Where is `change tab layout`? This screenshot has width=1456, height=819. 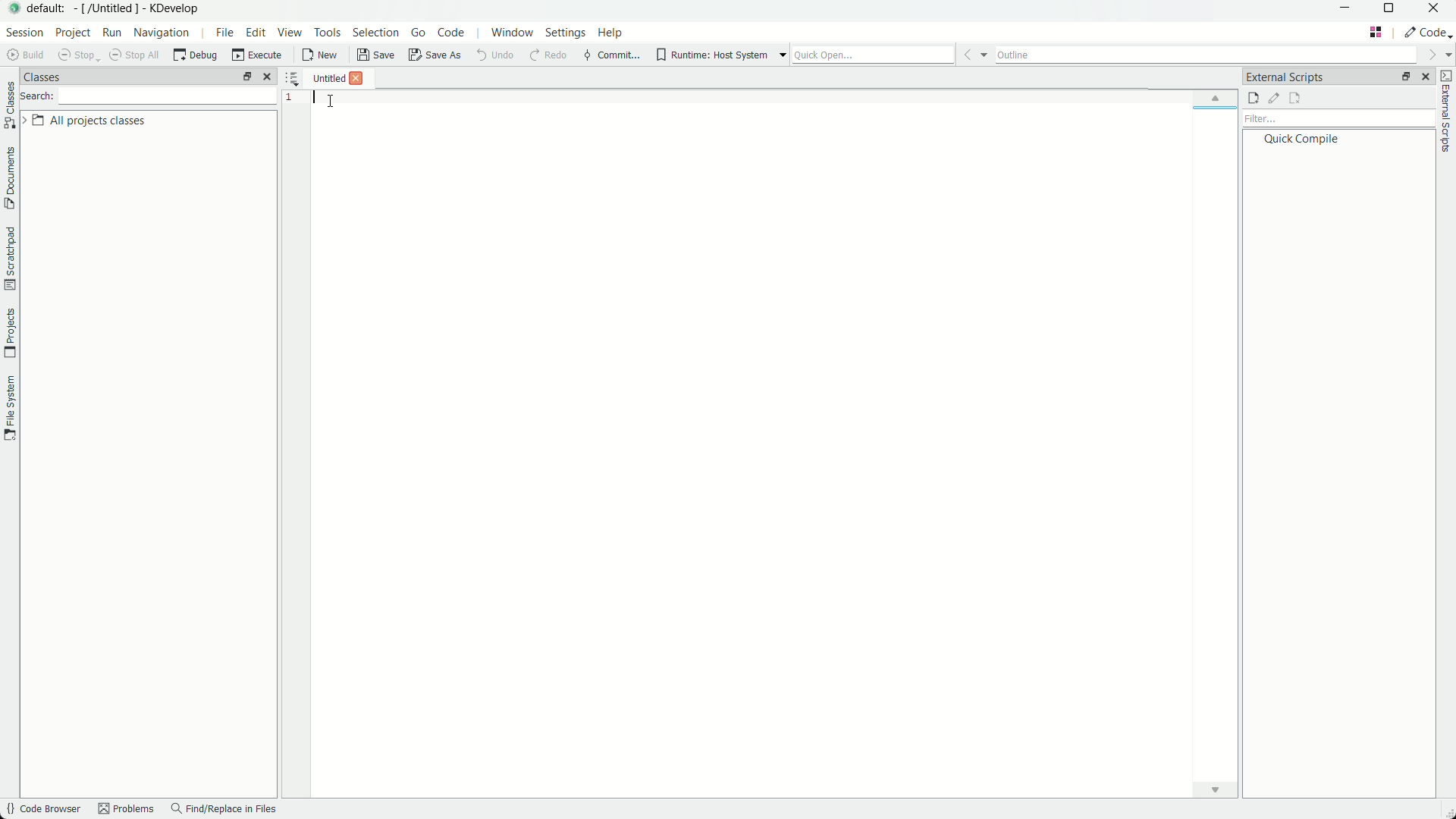
change tab layout is located at coordinates (1404, 78).